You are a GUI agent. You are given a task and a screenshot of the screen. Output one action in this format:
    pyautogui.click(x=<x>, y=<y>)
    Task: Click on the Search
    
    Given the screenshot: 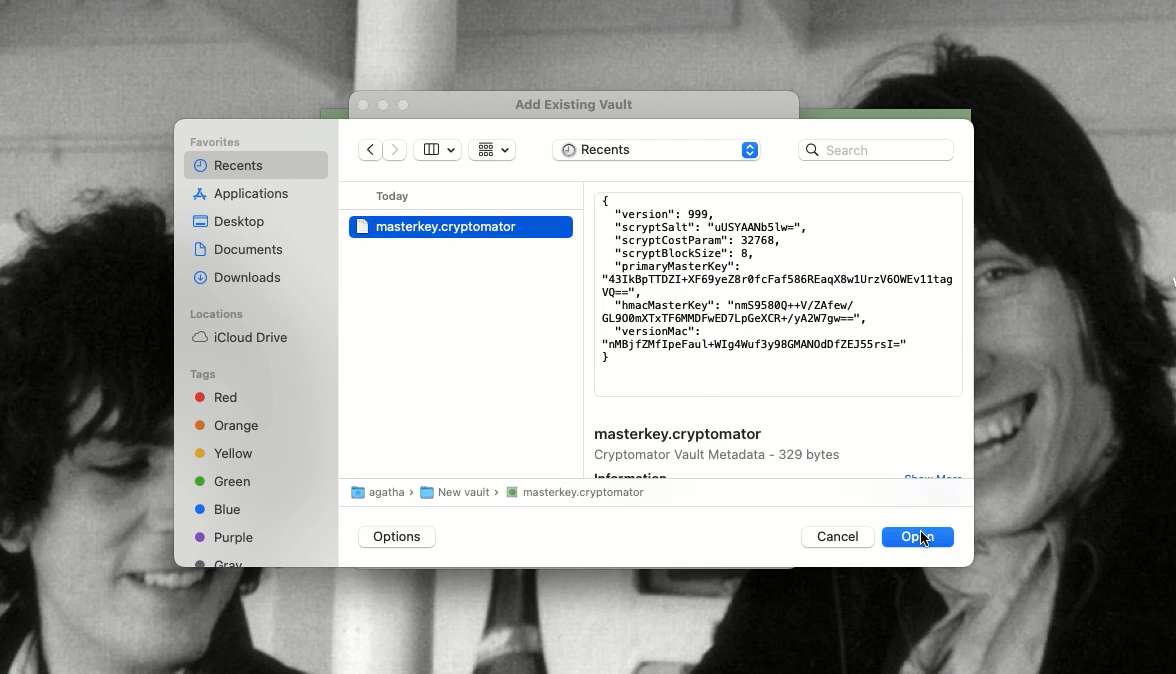 What is the action you would take?
    pyautogui.click(x=876, y=150)
    